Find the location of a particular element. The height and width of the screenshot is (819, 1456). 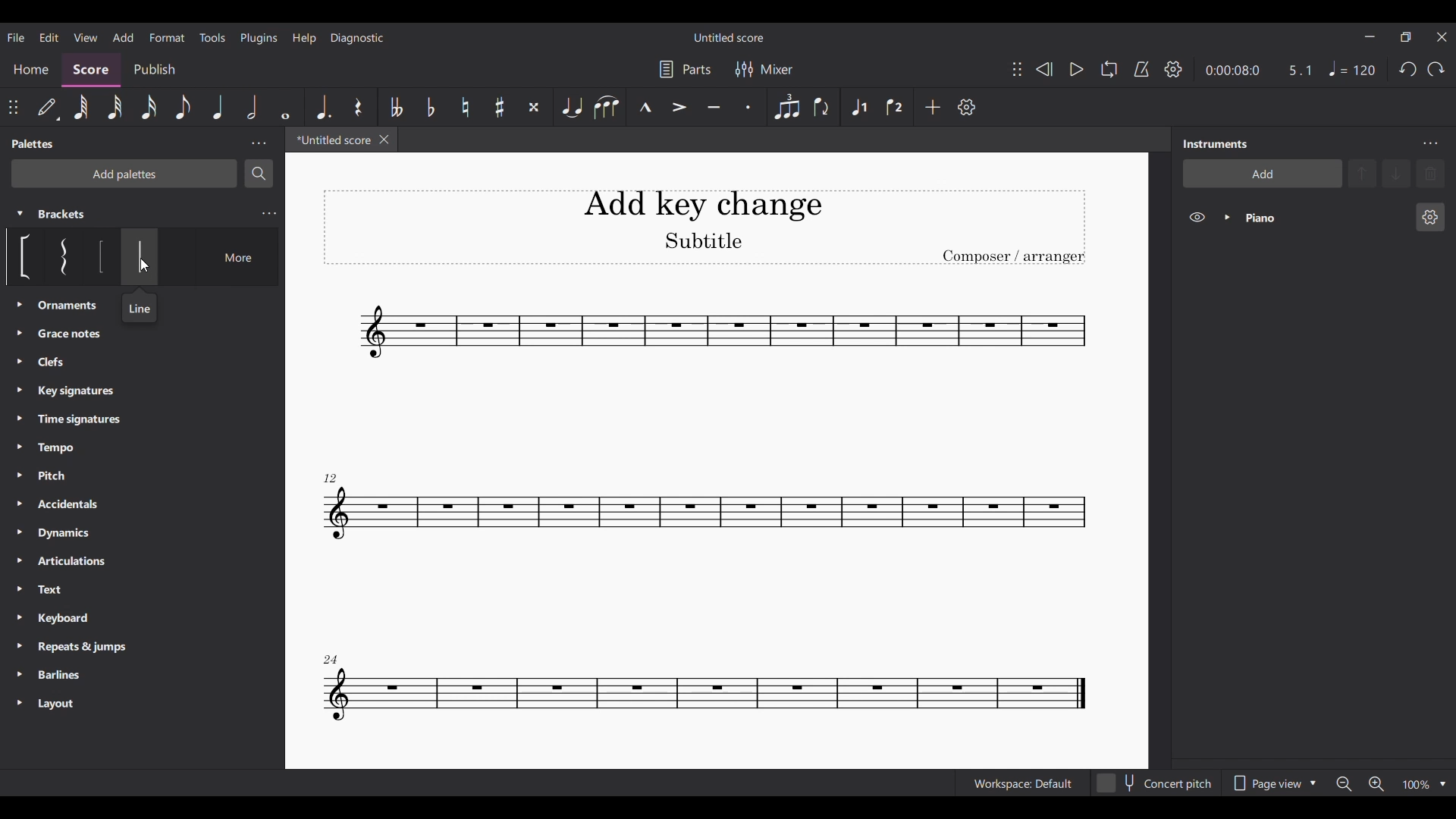

Title, sub-title, and composer name is located at coordinates (704, 227).